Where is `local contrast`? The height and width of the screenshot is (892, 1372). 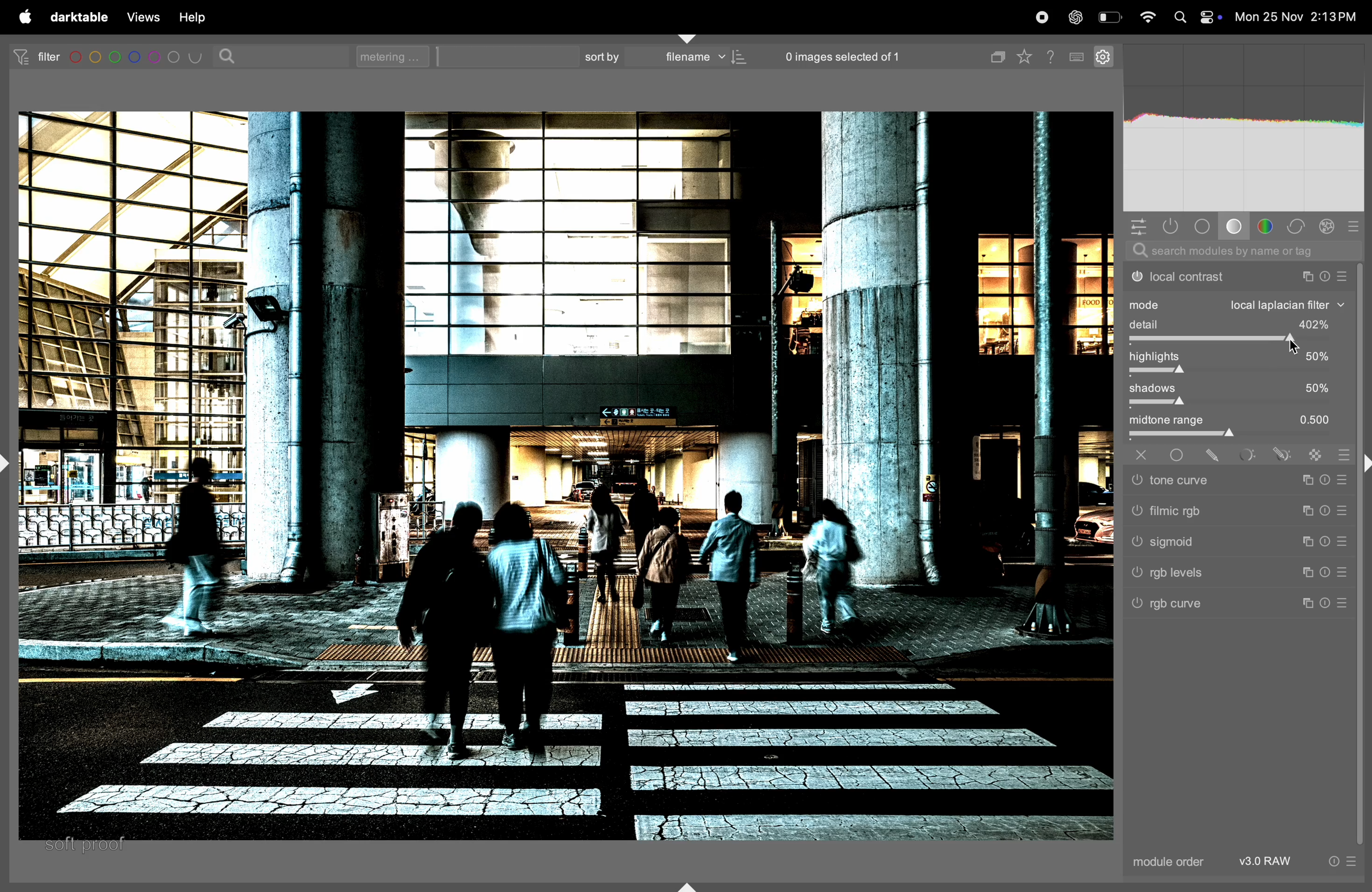
local contrast is located at coordinates (1235, 276).